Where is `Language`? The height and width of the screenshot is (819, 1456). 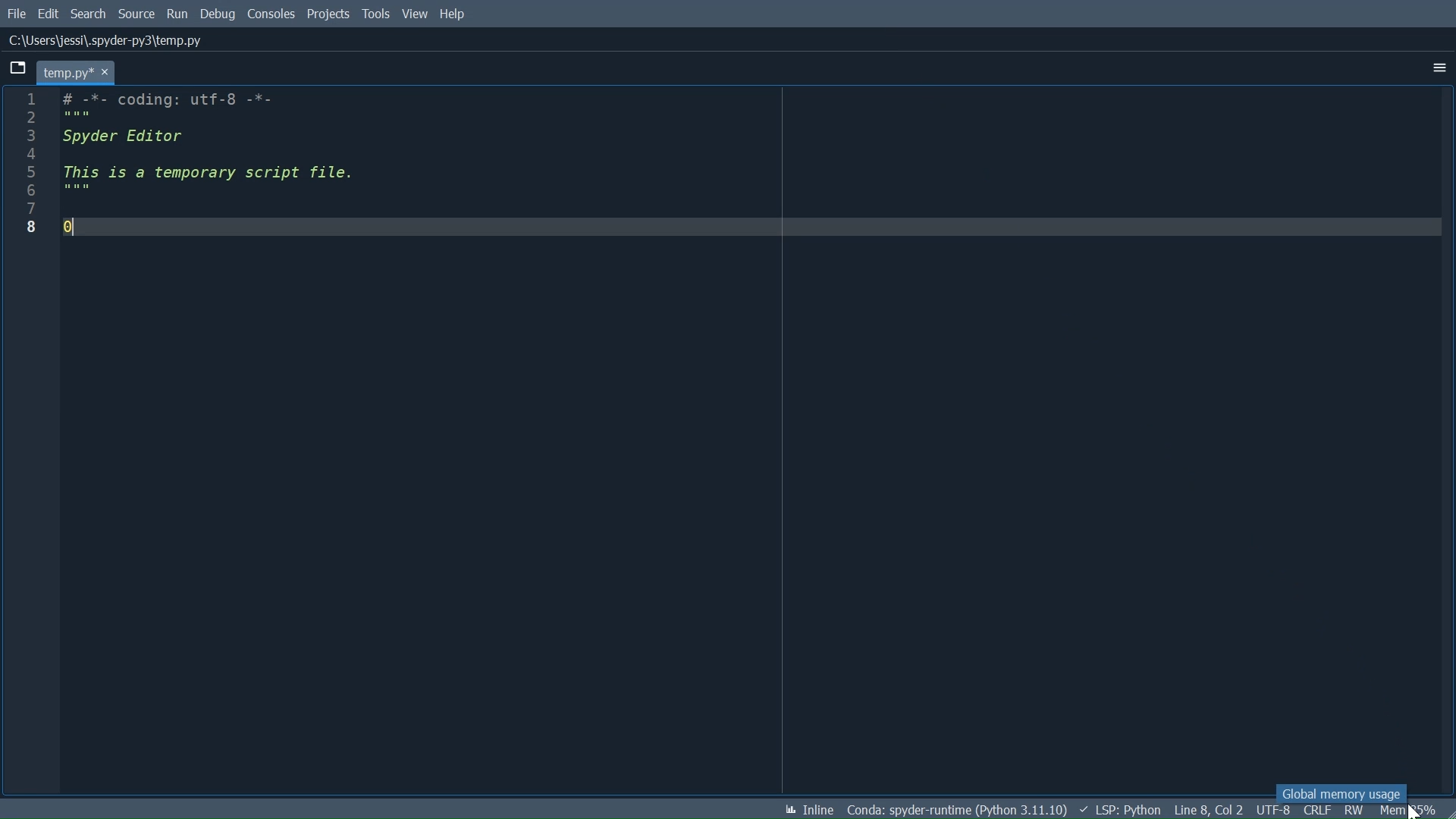 Language is located at coordinates (1121, 810).